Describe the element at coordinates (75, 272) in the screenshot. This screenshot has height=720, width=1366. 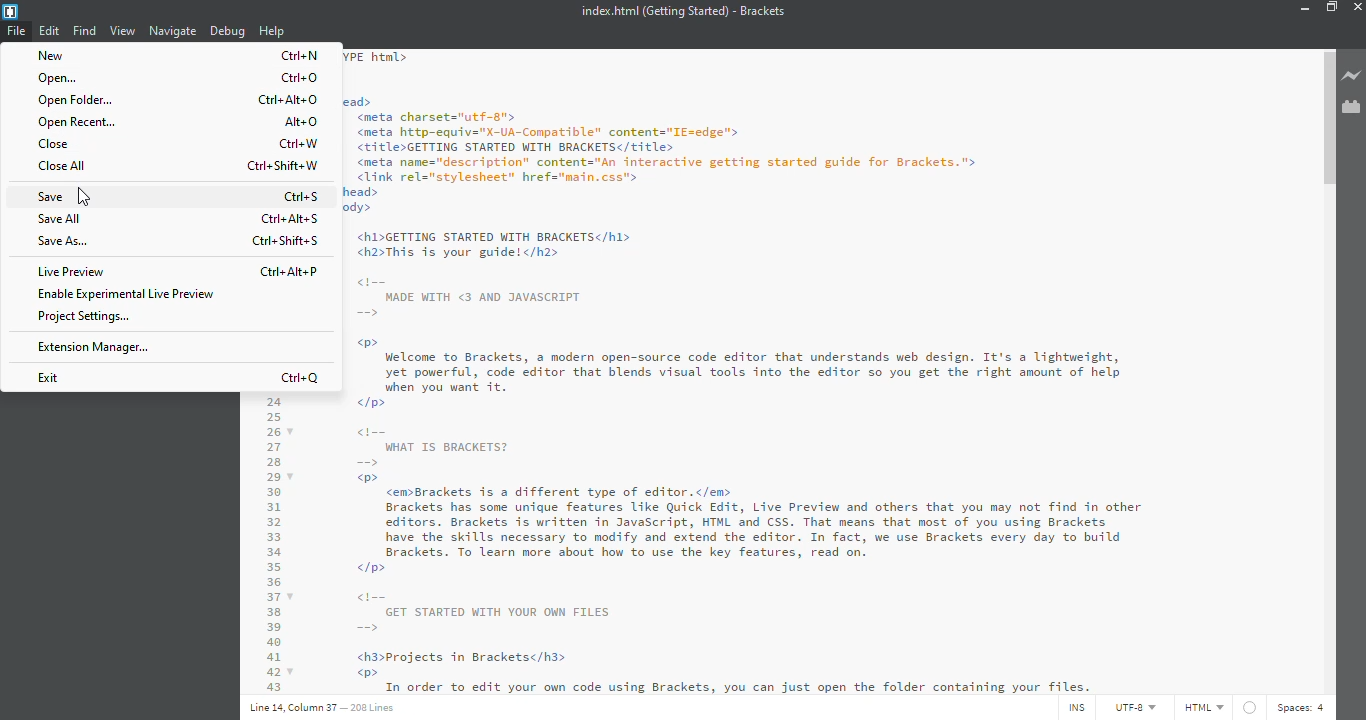
I see `live preview` at that location.